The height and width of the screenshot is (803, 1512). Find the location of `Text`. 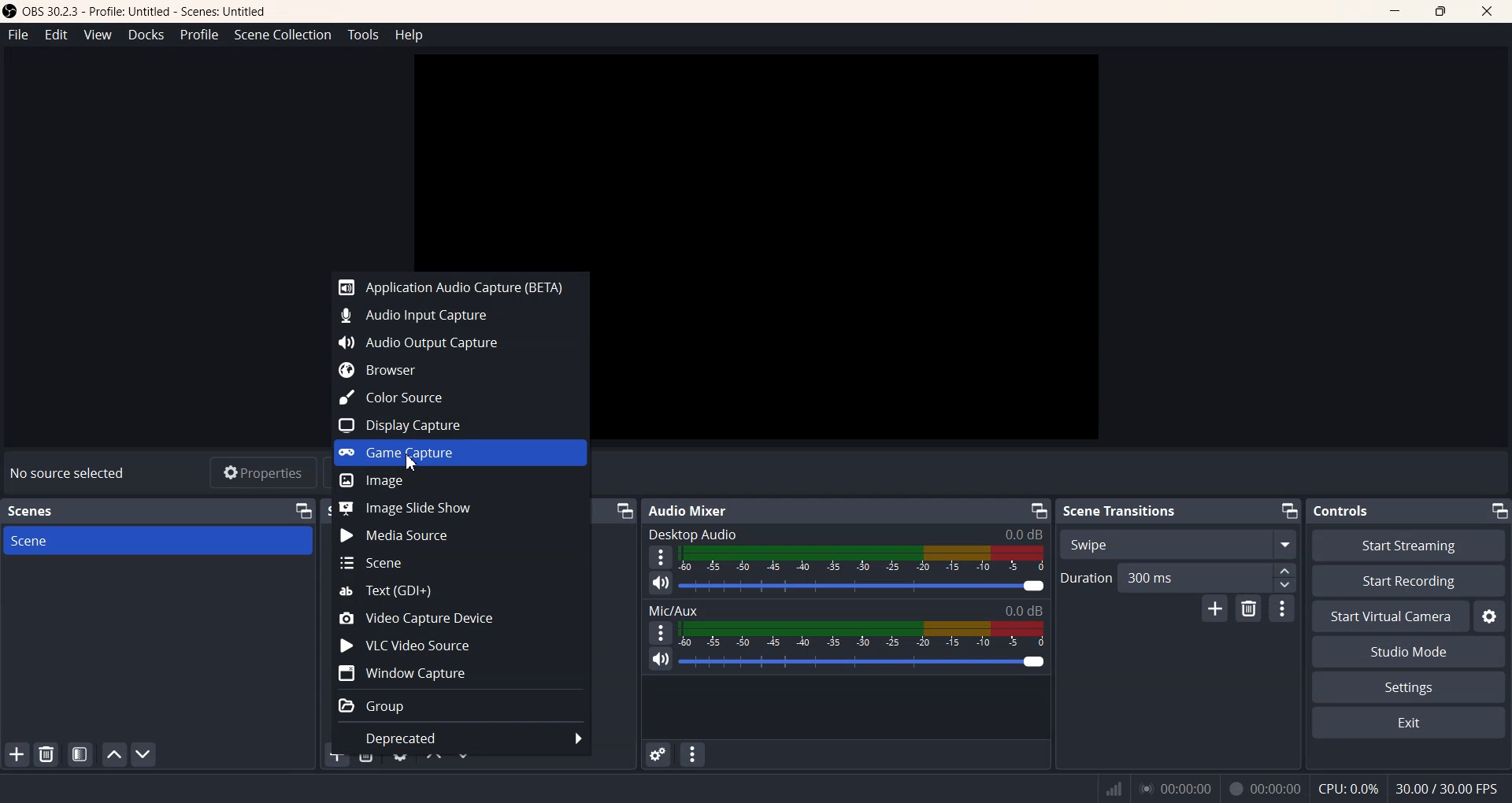

Text is located at coordinates (67, 472).